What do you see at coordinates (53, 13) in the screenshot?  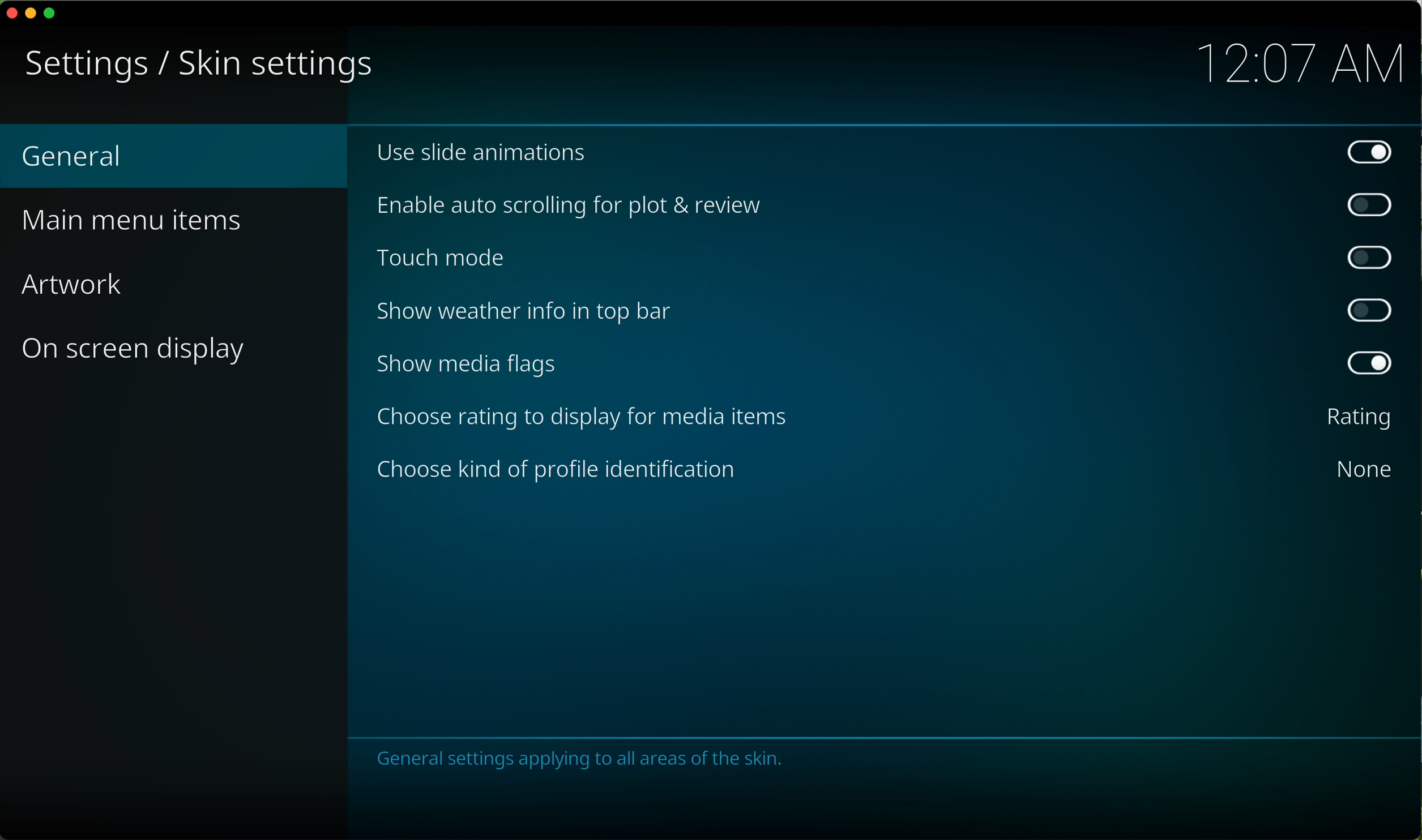 I see `maximize` at bounding box center [53, 13].